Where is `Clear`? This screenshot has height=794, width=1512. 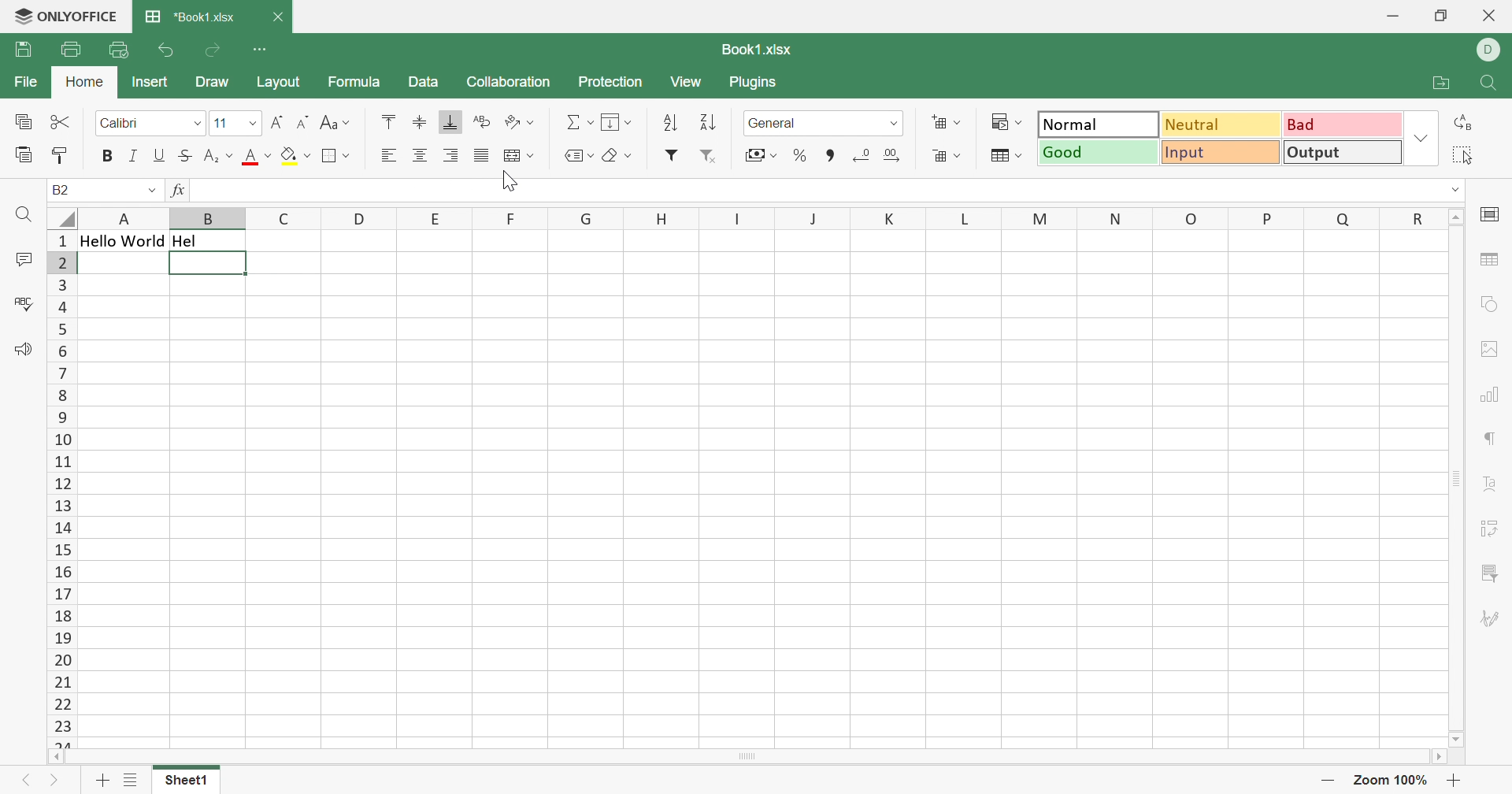 Clear is located at coordinates (620, 155).